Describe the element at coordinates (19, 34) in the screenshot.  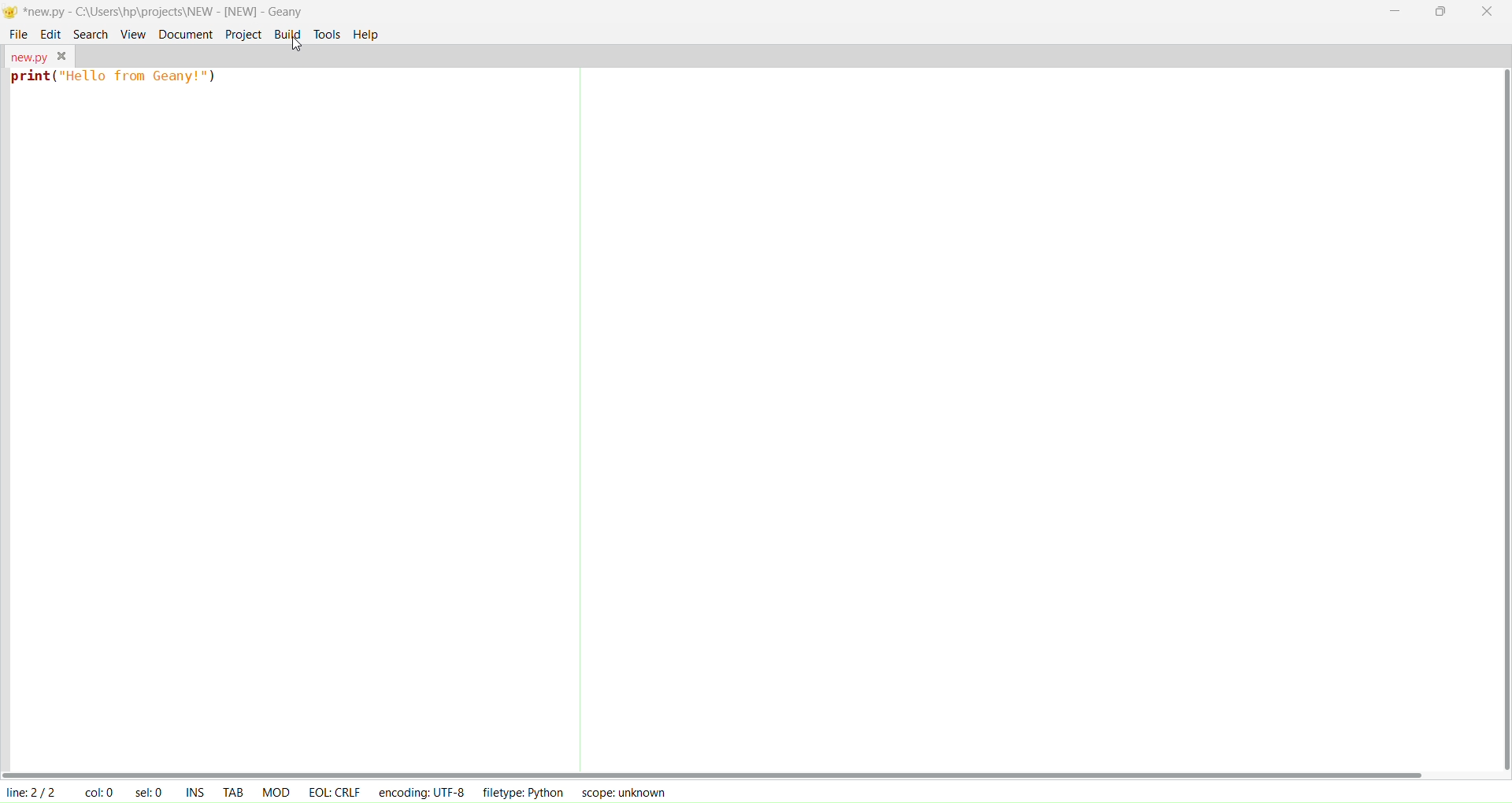
I see `file` at that location.